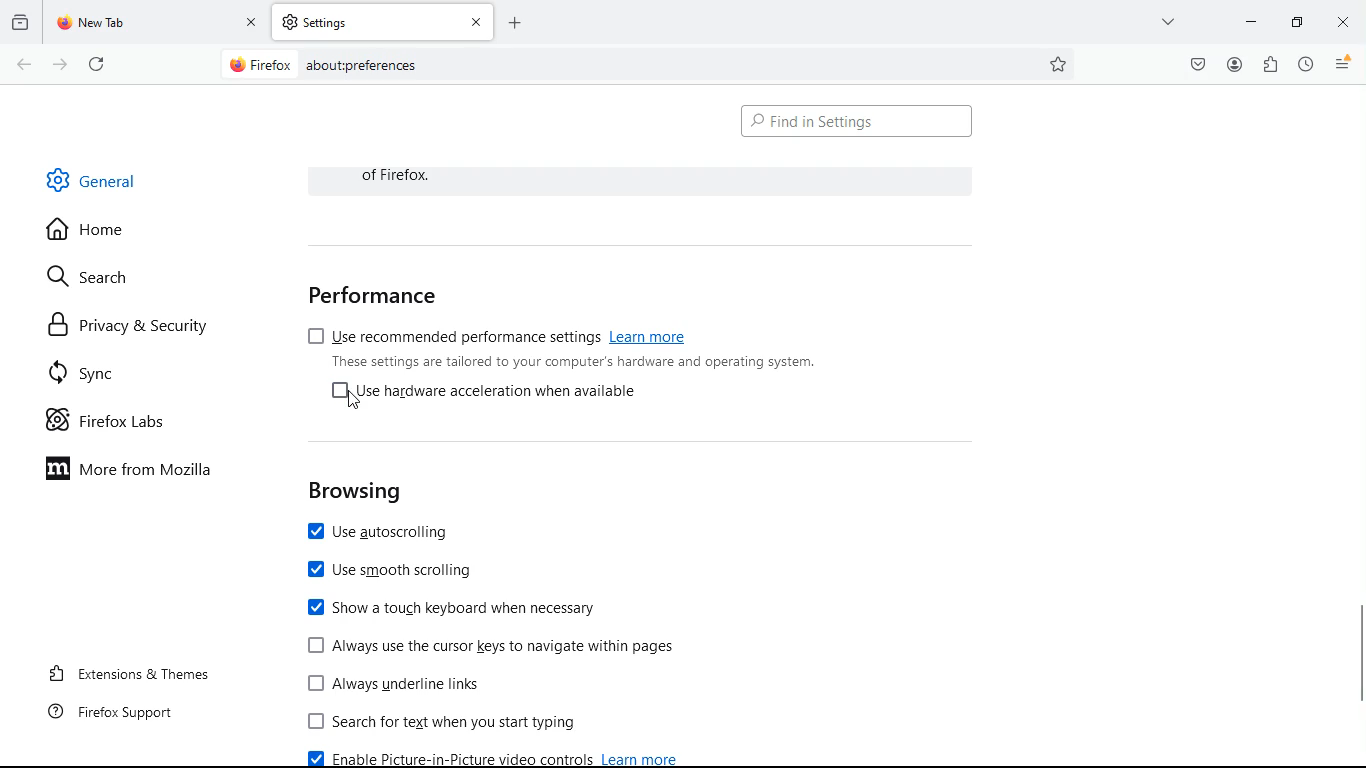  Describe the element at coordinates (1344, 64) in the screenshot. I see `menu` at that location.